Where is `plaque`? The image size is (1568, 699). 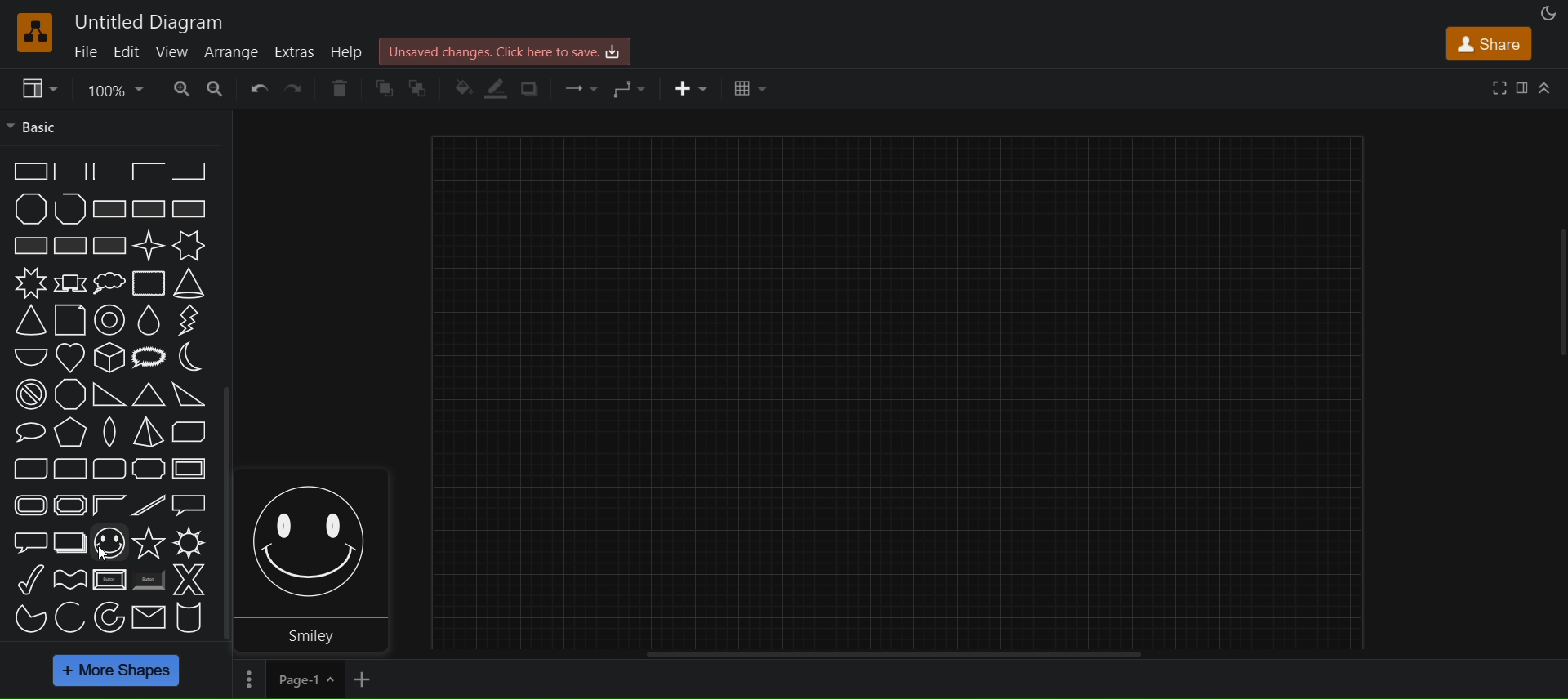
plaque is located at coordinates (149, 468).